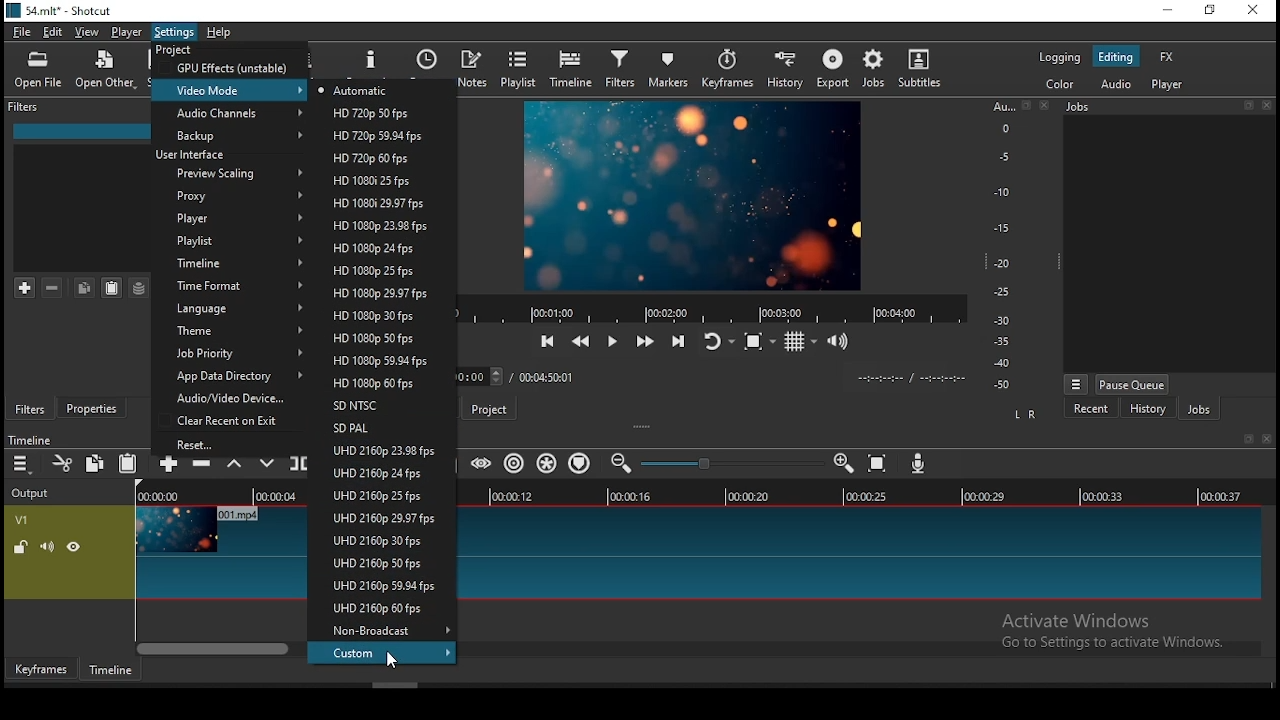 This screenshot has height=720, width=1280. I want to click on ripple all tracks, so click(546, 462).